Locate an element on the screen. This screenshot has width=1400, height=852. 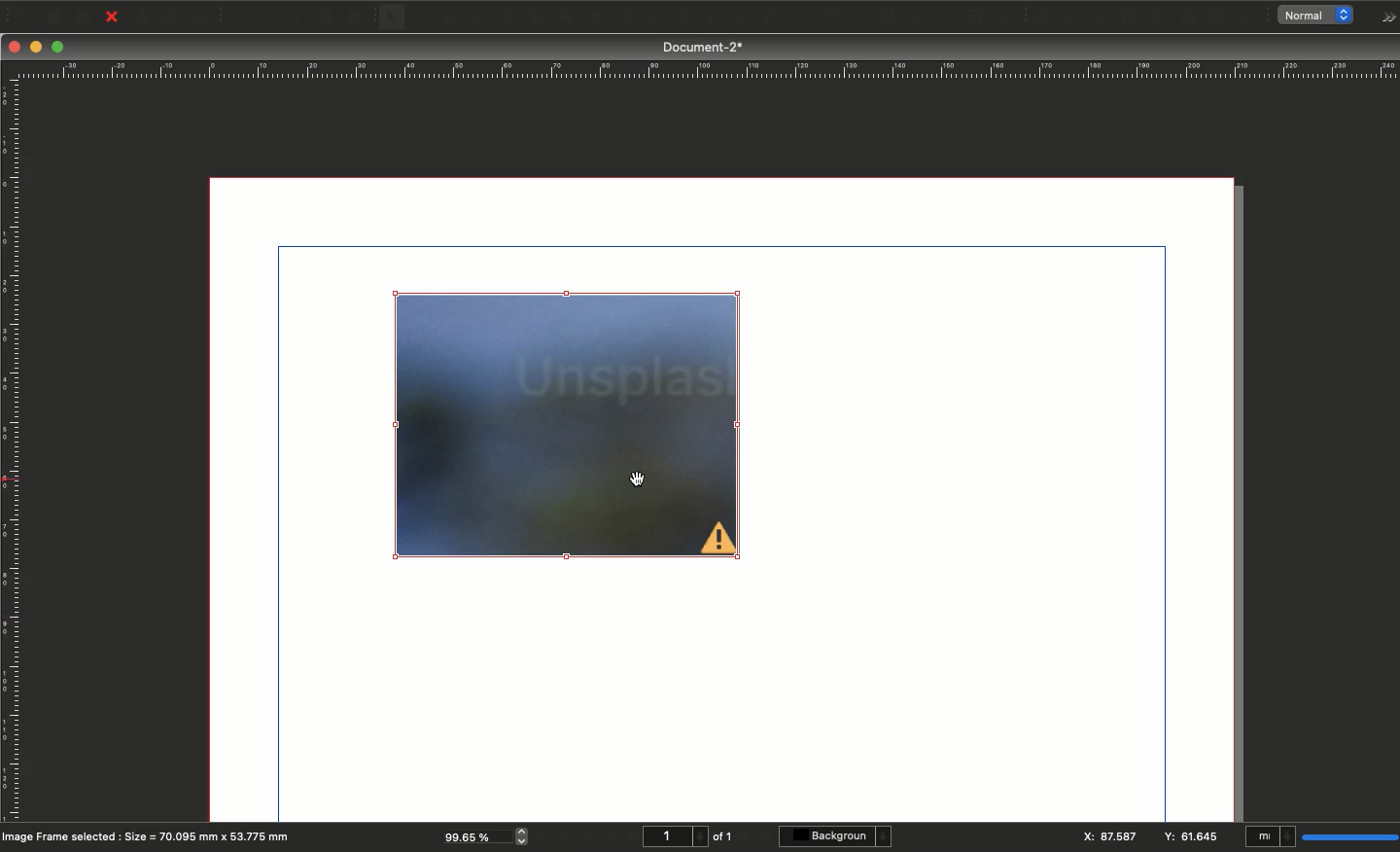
Spiral is located at coordinates (628, 19).